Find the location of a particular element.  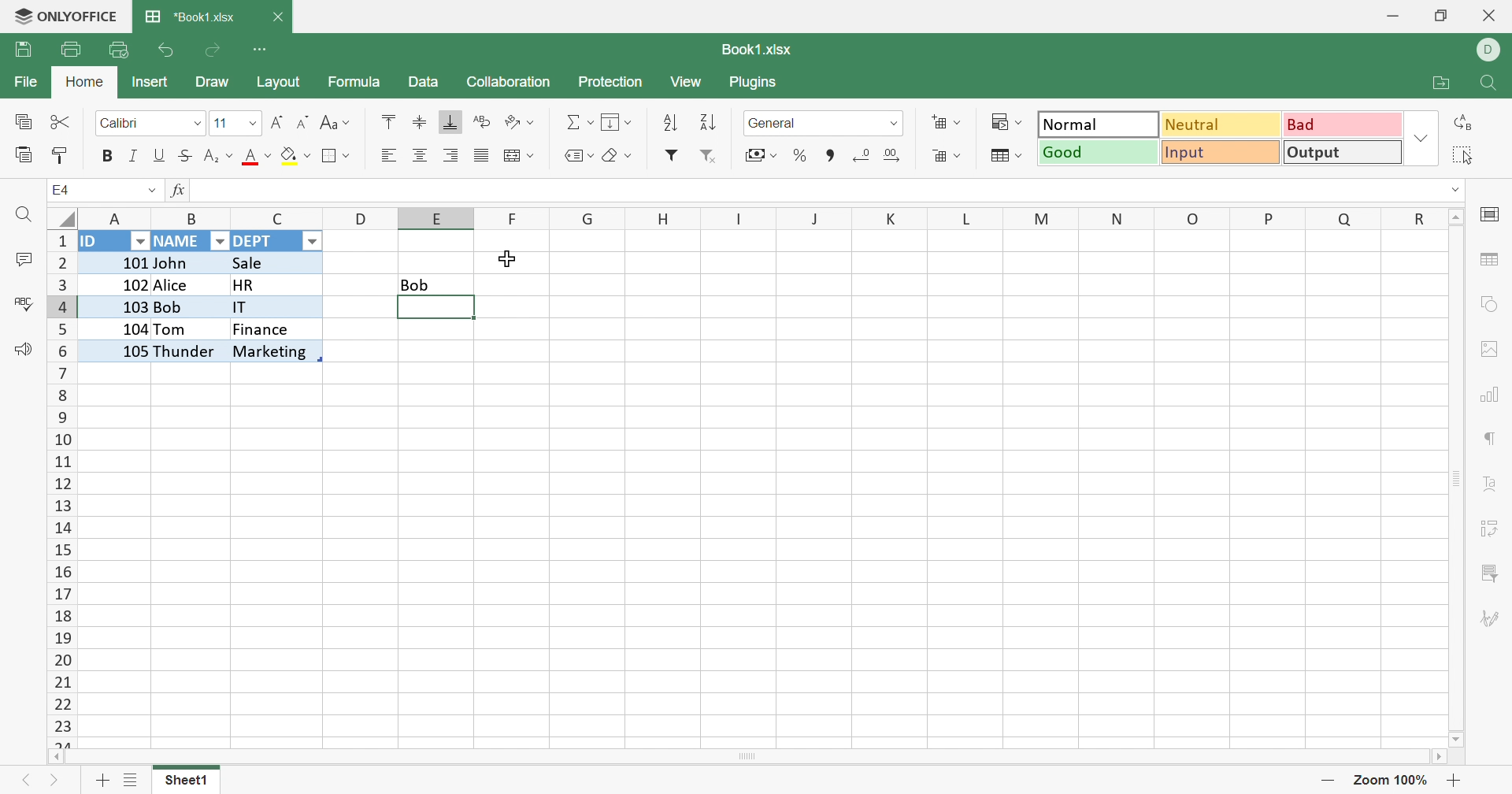

Zoom In is located at coordinates (1454, 781).